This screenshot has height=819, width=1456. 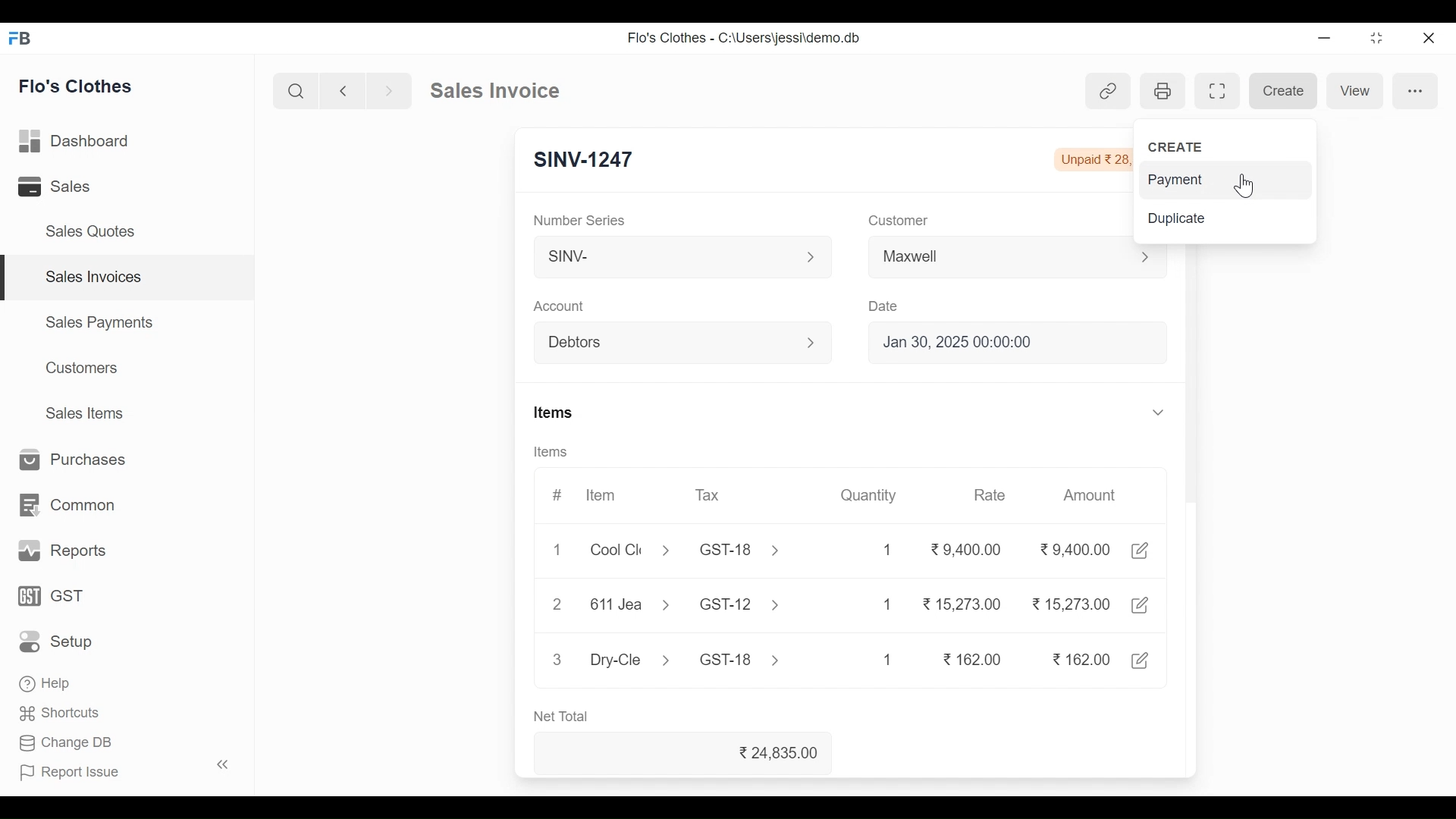 What do you see at coordinates (48, 683) in the screenshot?
I see `‘Help` at bounding box center [48, 683].